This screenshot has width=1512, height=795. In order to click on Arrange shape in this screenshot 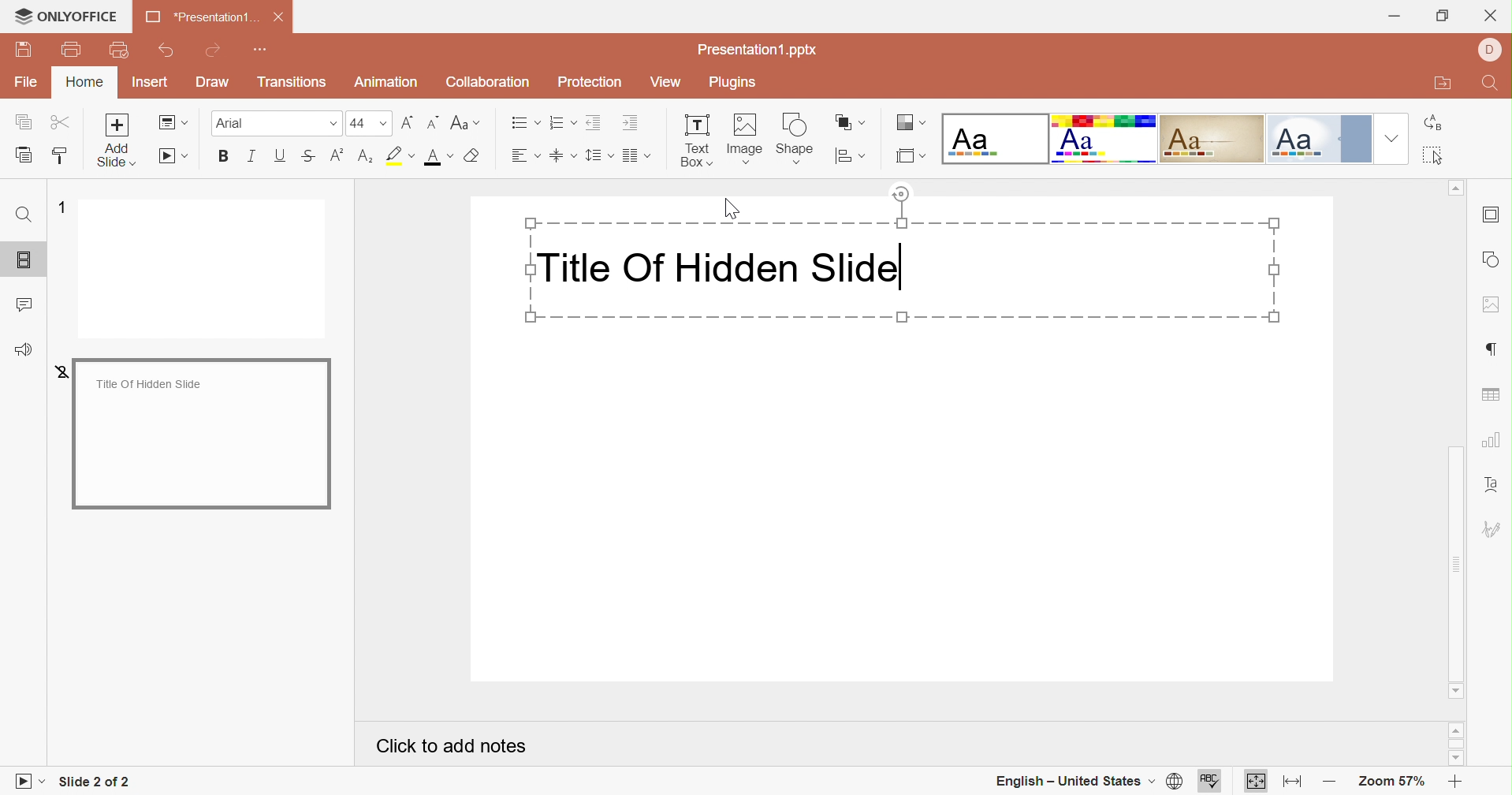, I will do `click(851, 121)`.